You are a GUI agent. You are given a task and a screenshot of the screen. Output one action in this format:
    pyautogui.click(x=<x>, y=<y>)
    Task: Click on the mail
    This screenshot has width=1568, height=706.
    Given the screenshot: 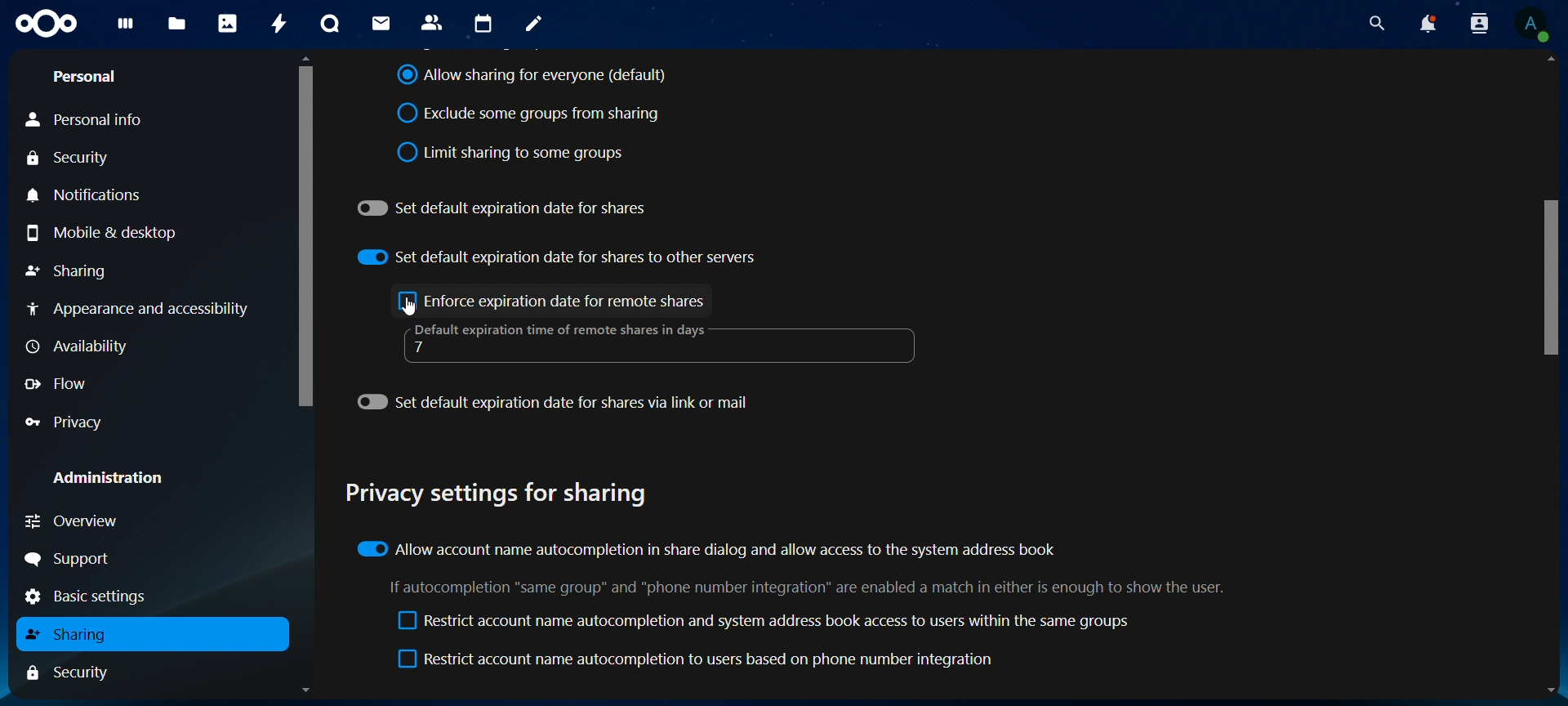 What is the action you would take?
    pyautogui.click(x=381, y=21)
    